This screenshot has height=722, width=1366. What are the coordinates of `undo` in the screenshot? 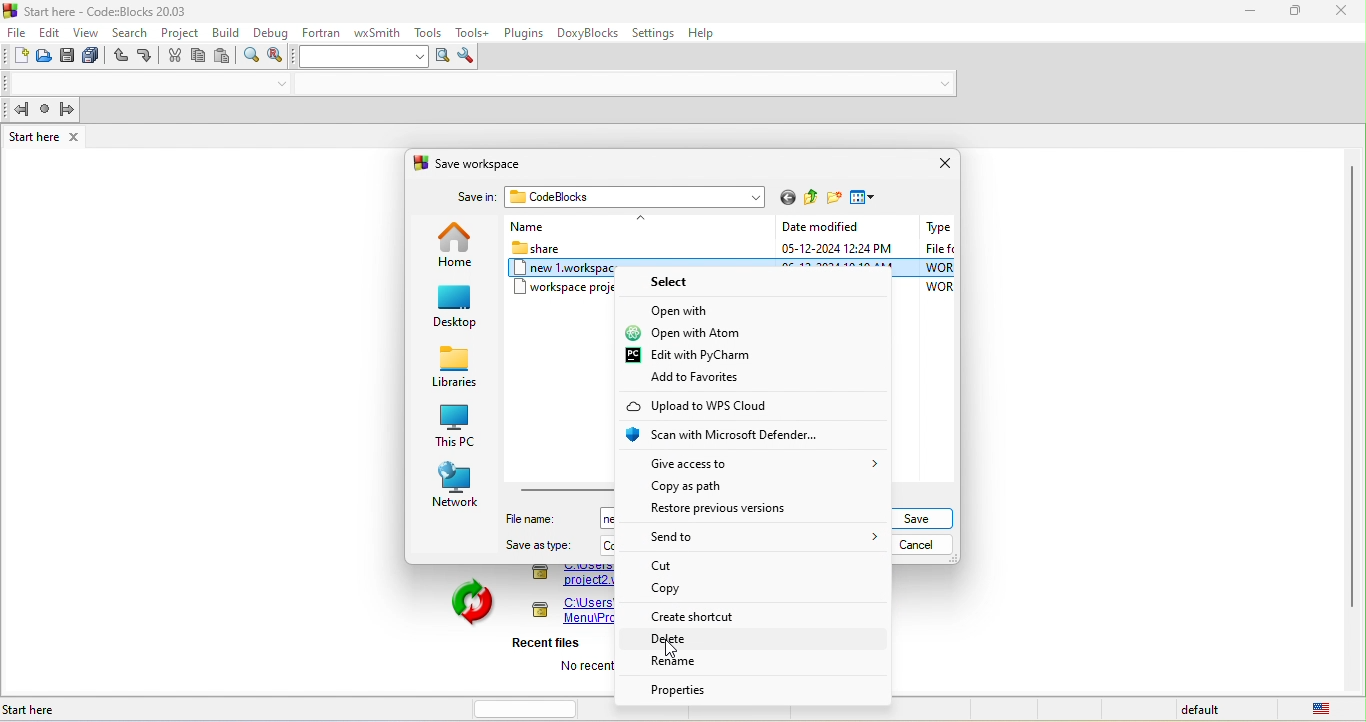 It's located at (120, 58).